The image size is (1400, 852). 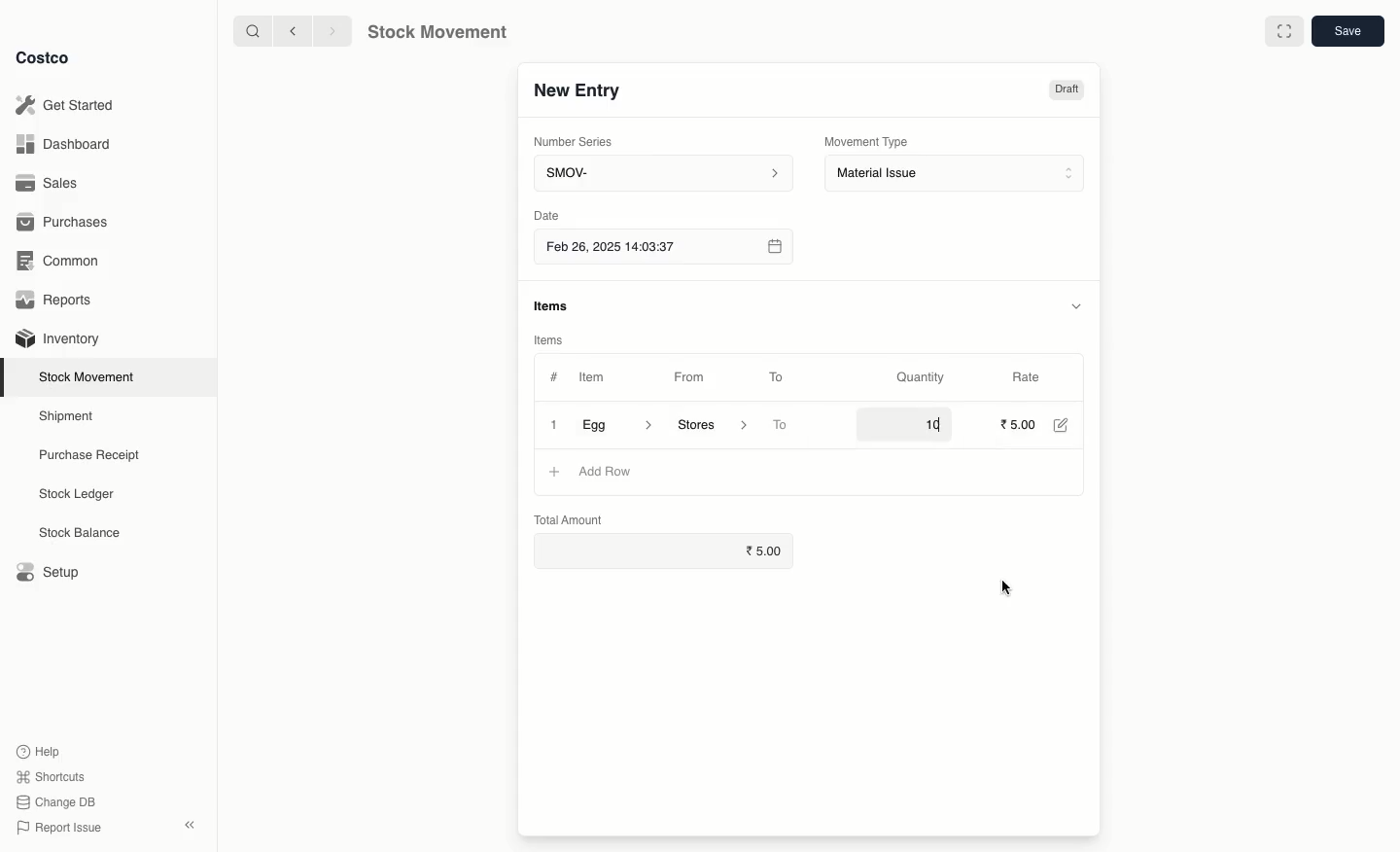 I want to click on cursor, so click(x=1004, y=586).